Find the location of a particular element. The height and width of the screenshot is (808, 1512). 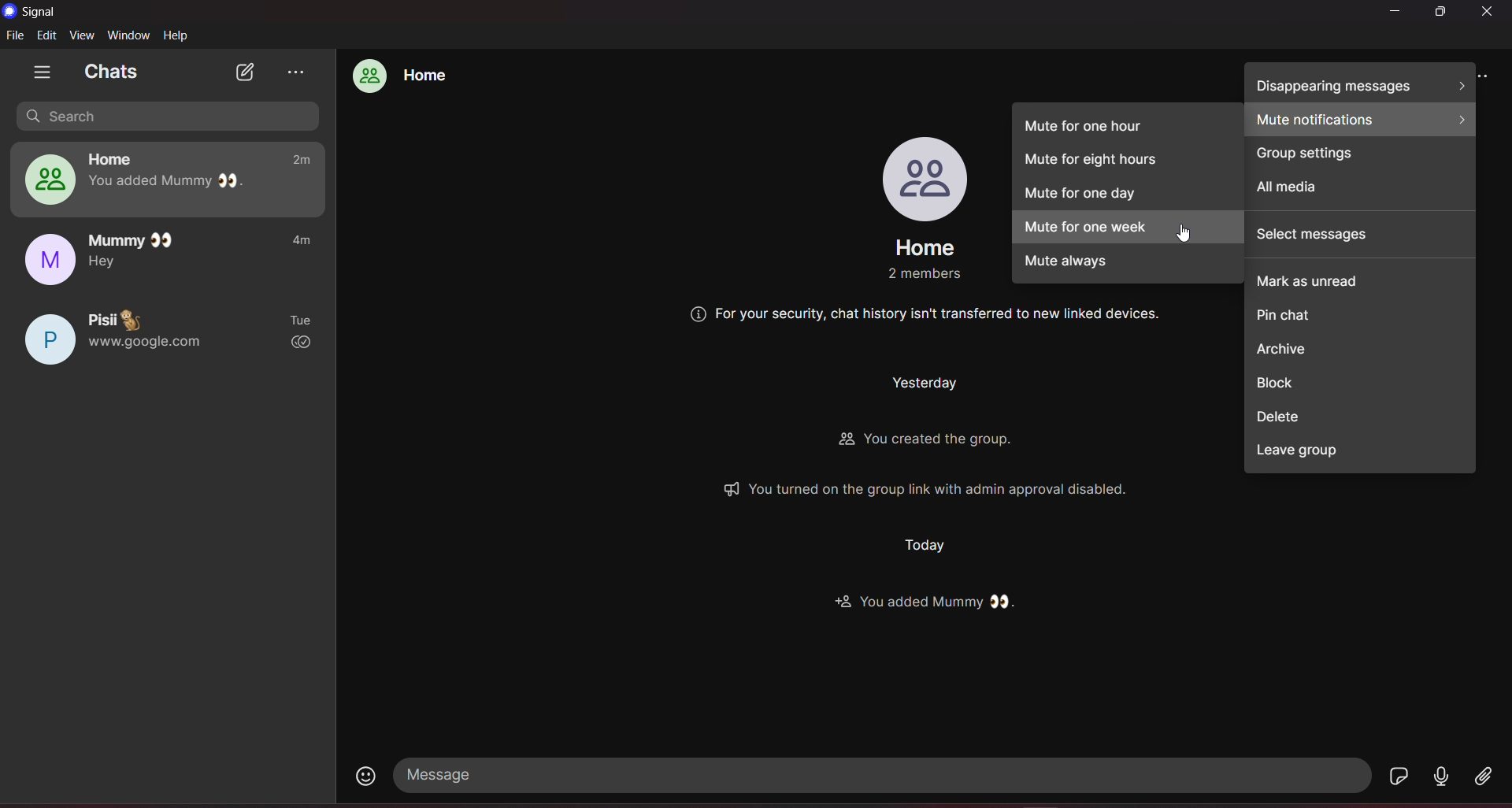

help is located at coordinates (178, 36).